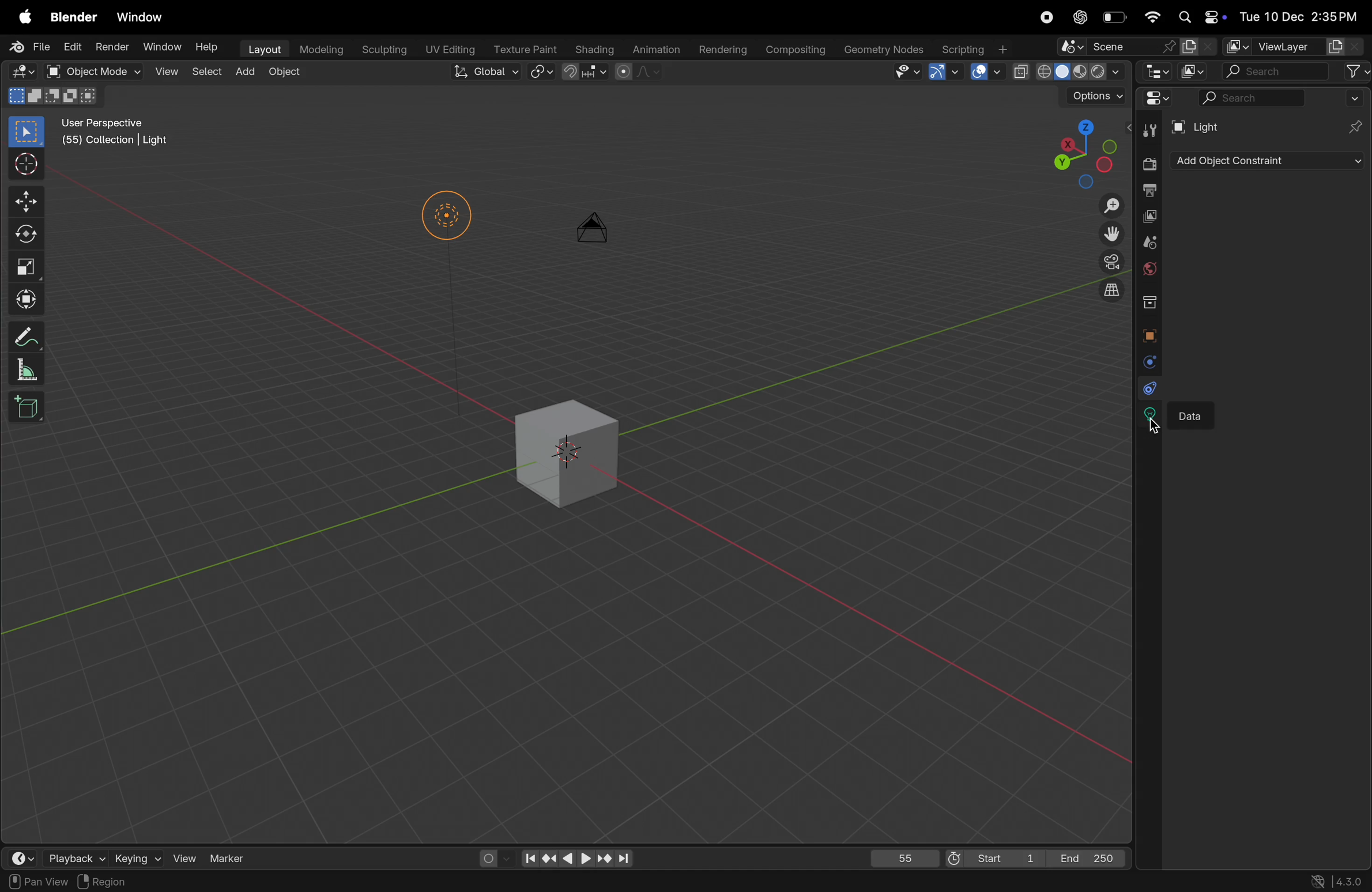 The height and width of the screenshot is (892, 1372). I want to click on search, so click(1283, 98).